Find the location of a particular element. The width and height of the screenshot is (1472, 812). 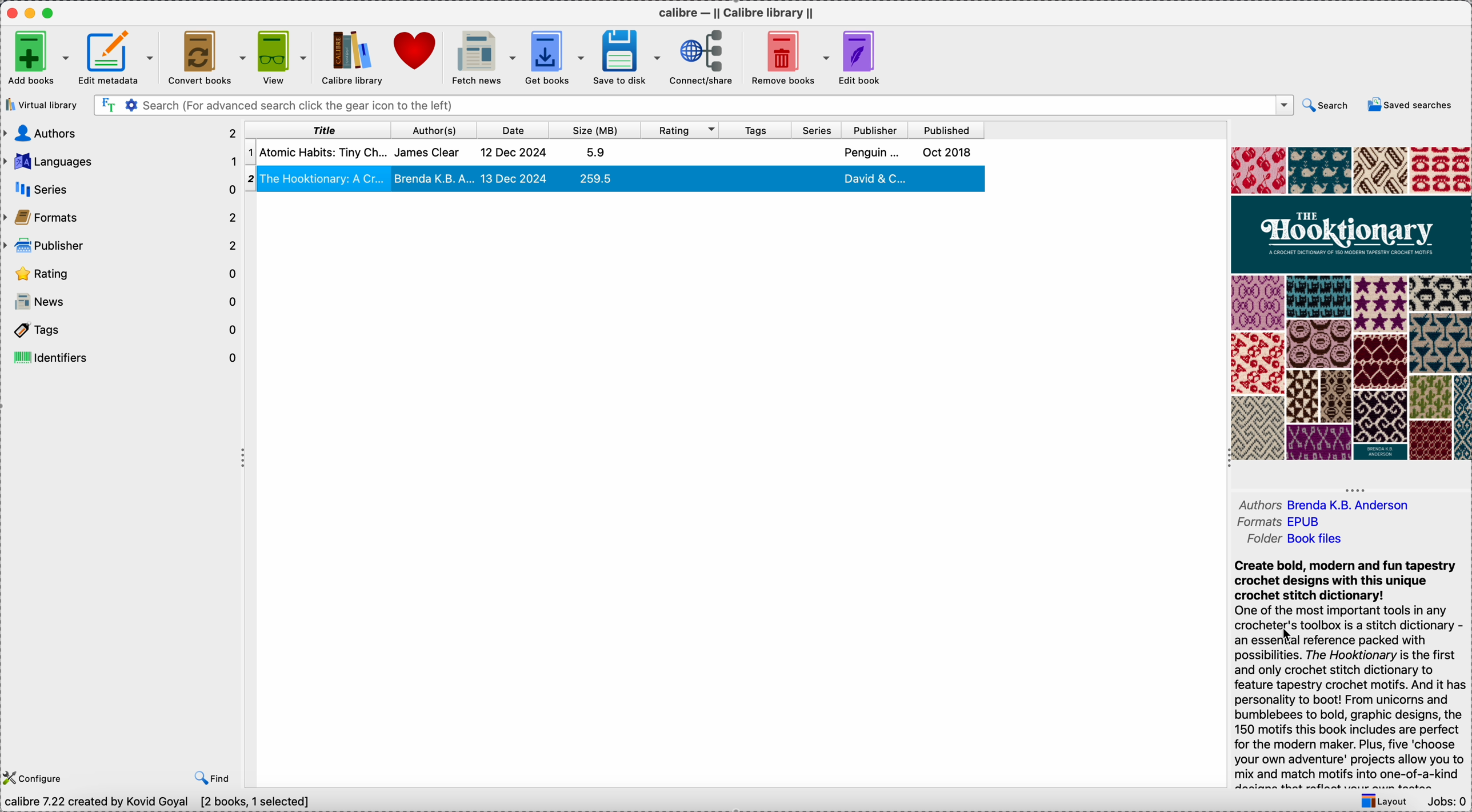

formats EPUB is located at coordinates (1291, 522).